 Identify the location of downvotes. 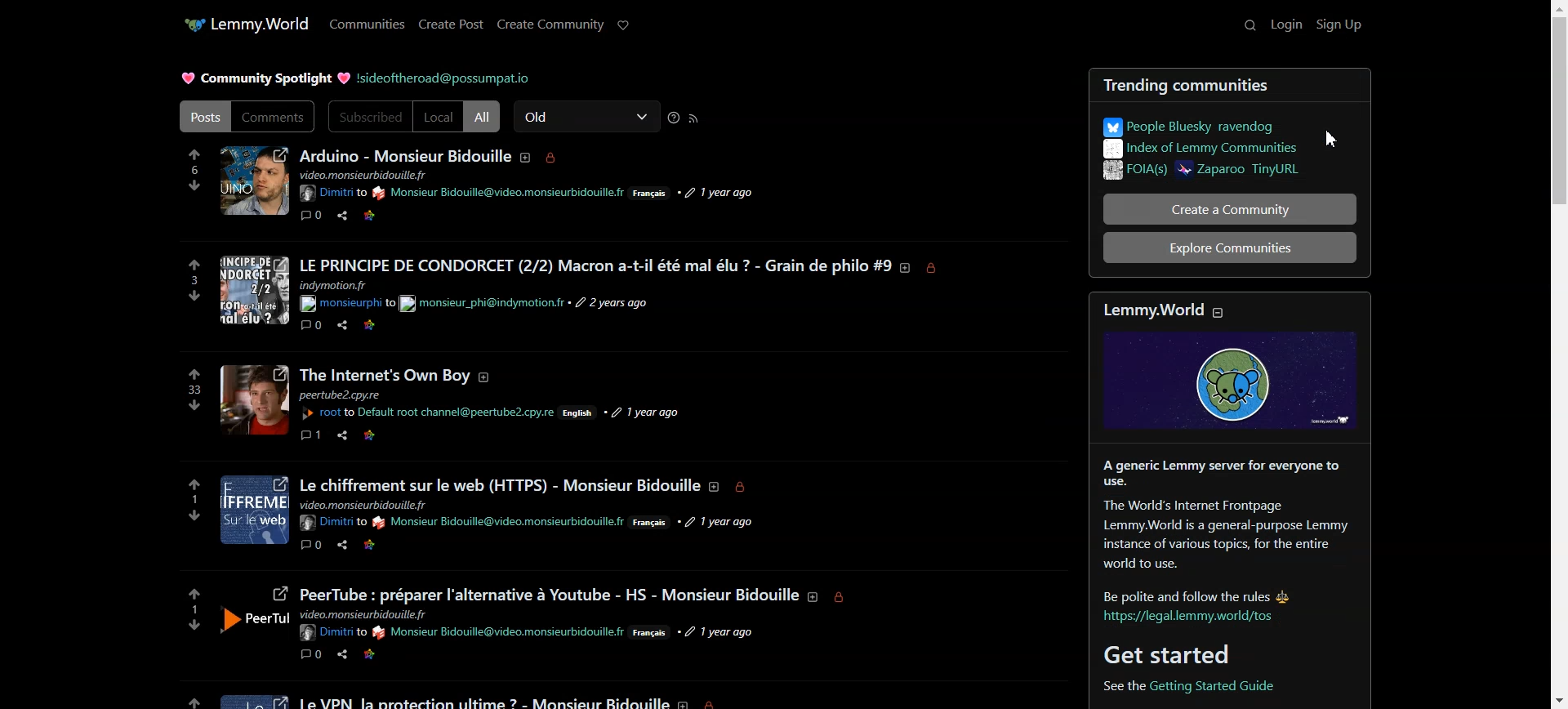
(194, 407).